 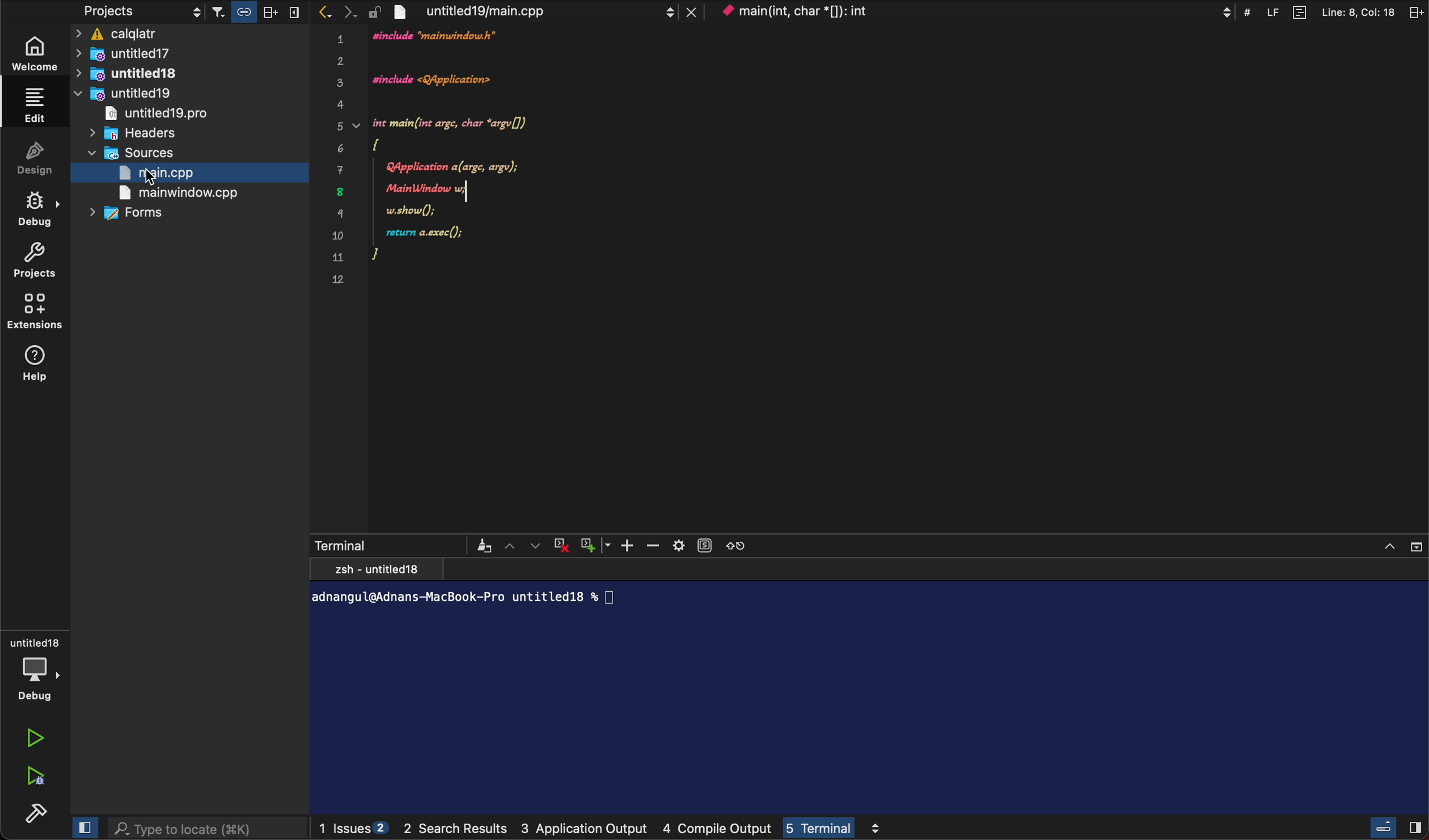 What do you see at coordinates (538, 545) in the screenshot?
I see `Down` at bounding box center [538, 545].